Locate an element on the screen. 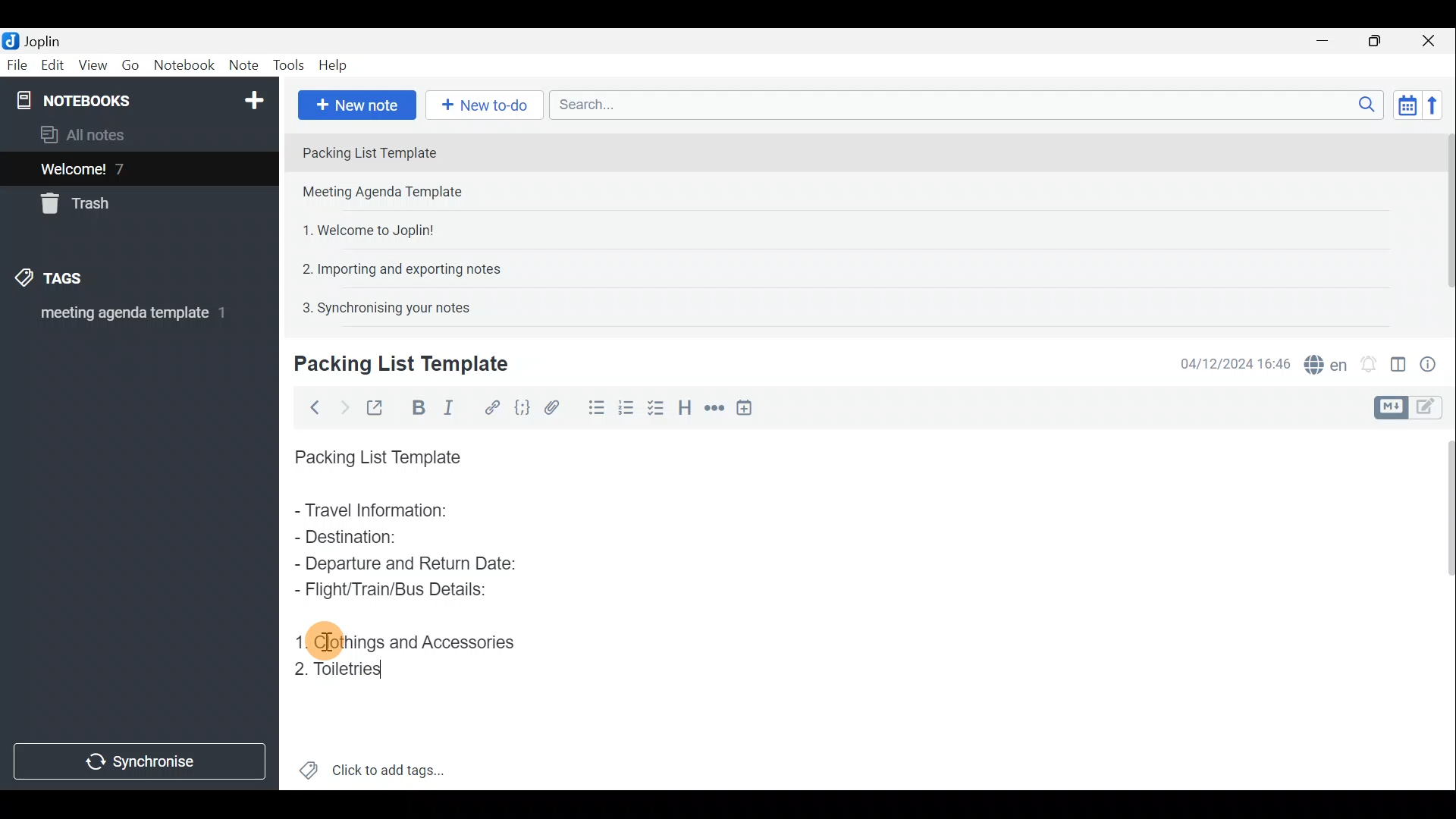  Bold is located at coordinates (416, 406).